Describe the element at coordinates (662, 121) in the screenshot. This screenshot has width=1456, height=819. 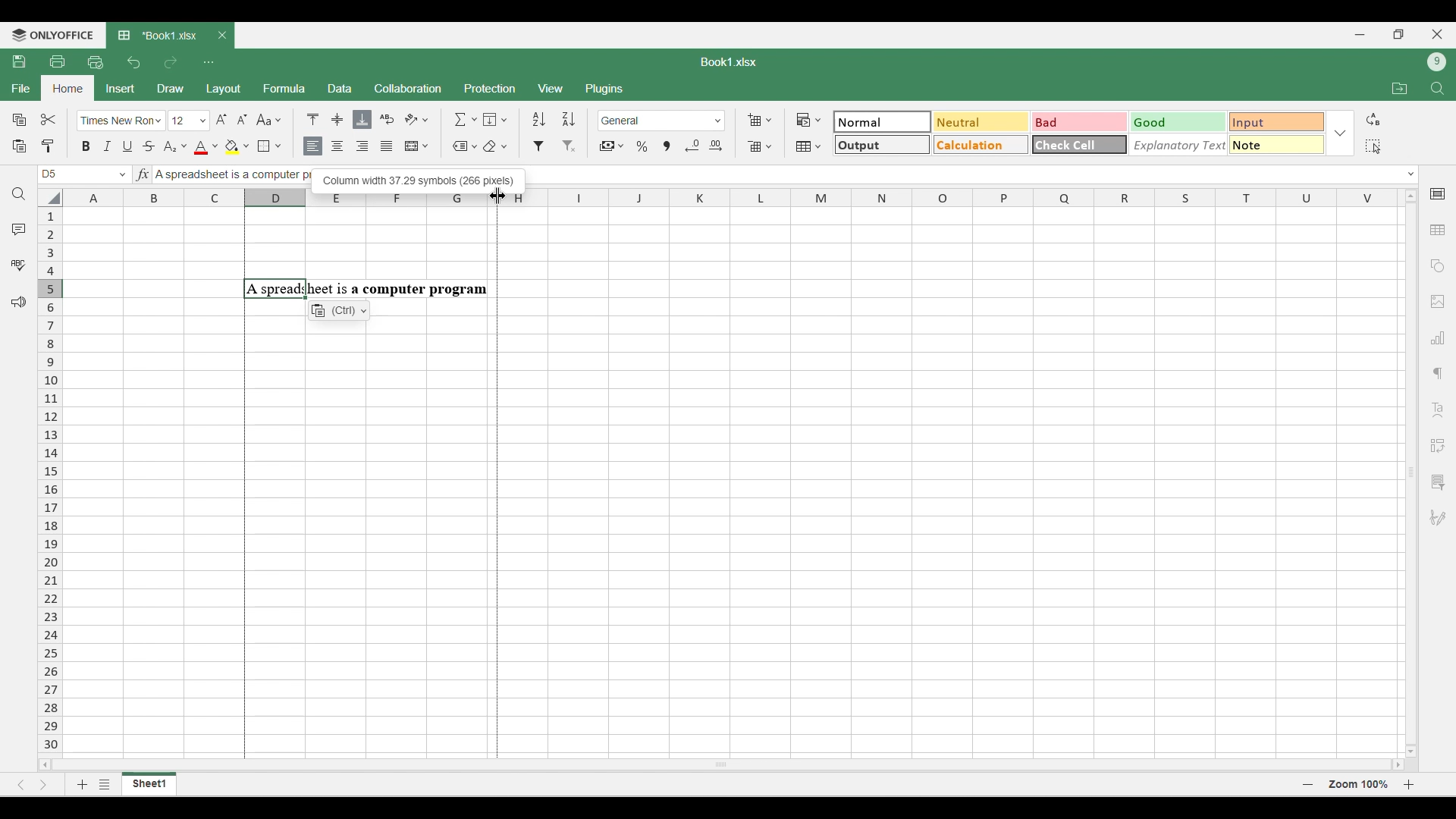
I see `Number format options` at that location.